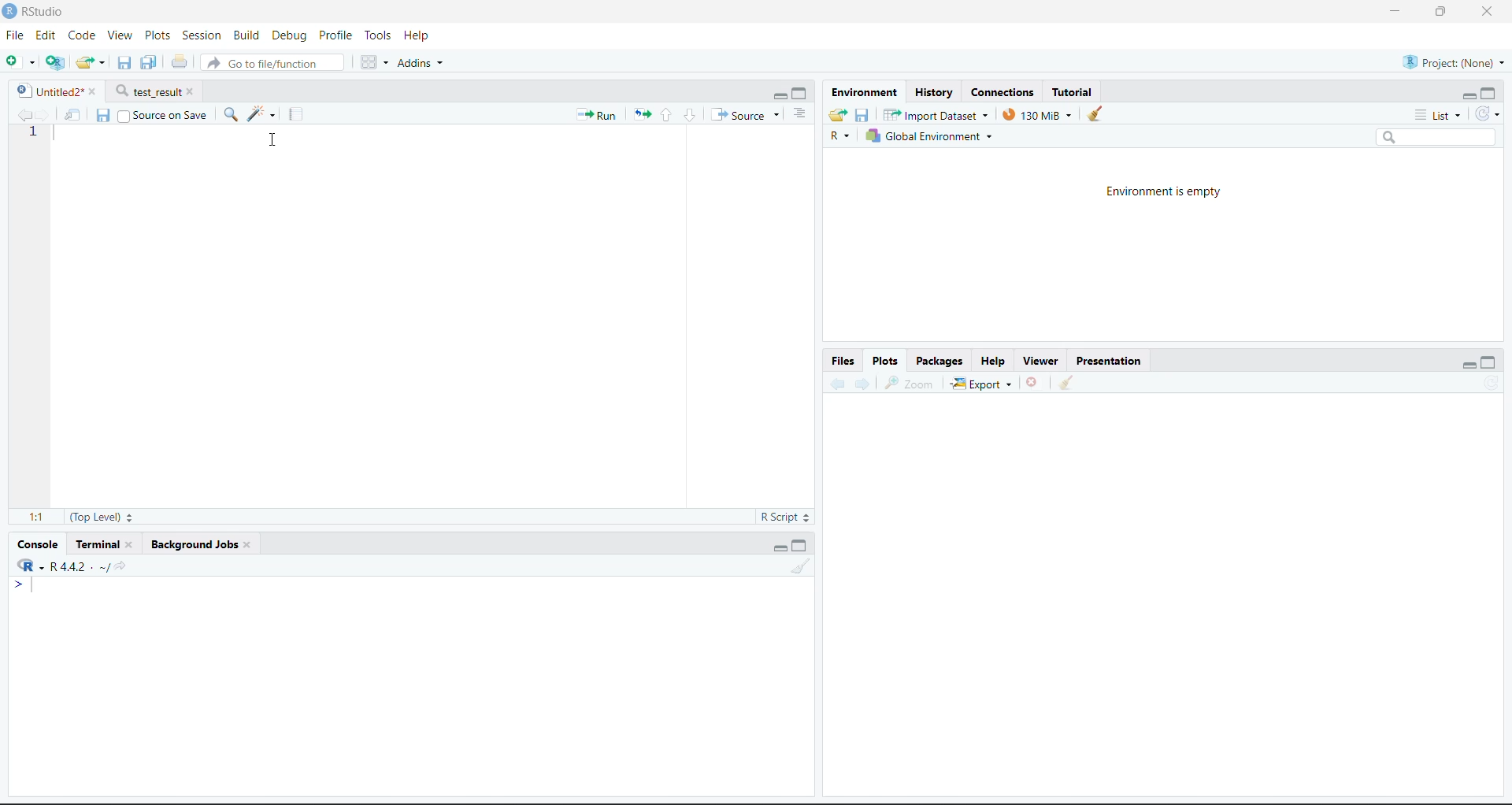  Describe the element at coordinates (1440, 12) in the screenshot. I see `Maximize` at that location.